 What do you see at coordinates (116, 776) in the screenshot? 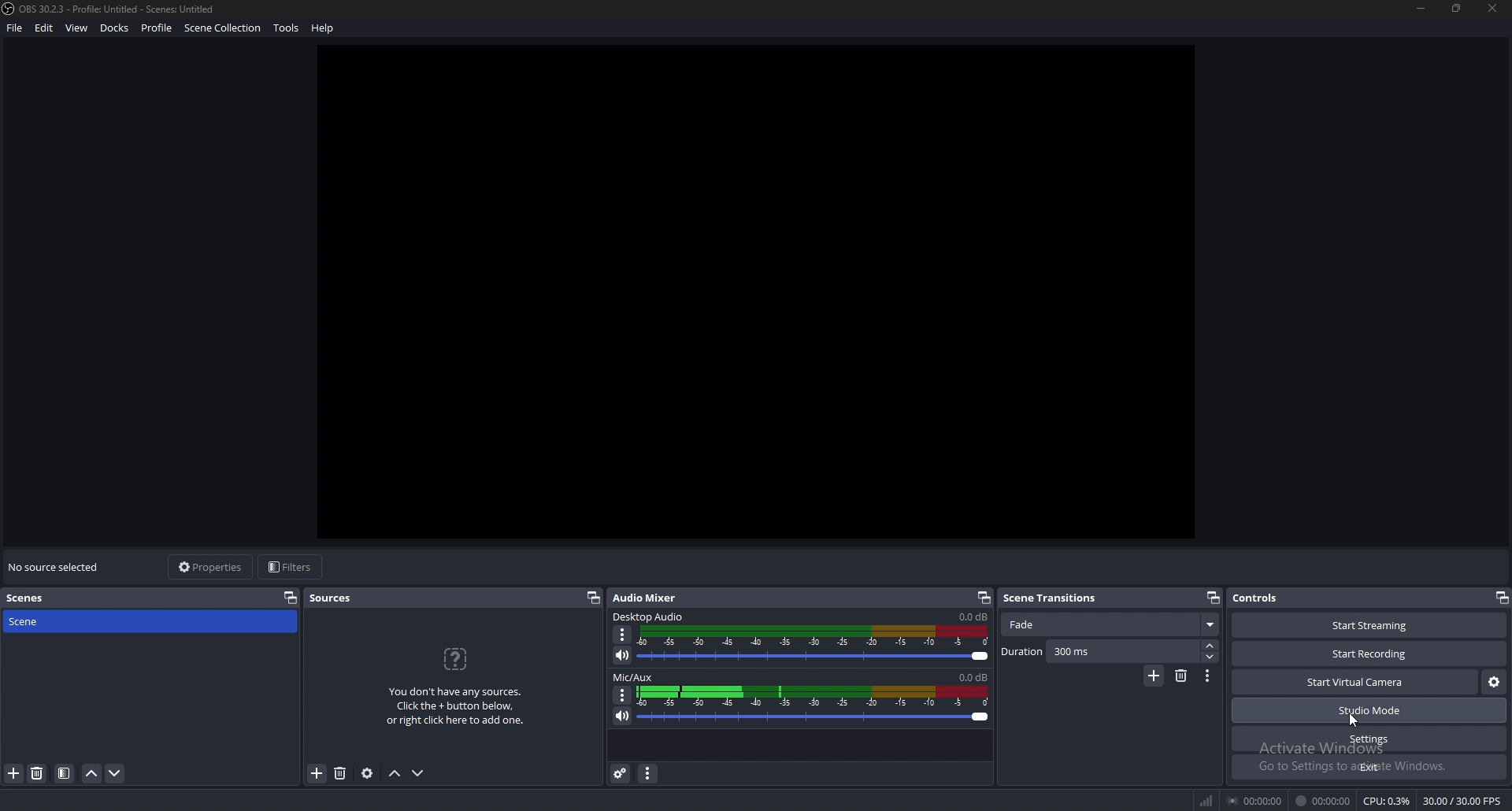
I see `move scene down` at bounding box center [116, 776].